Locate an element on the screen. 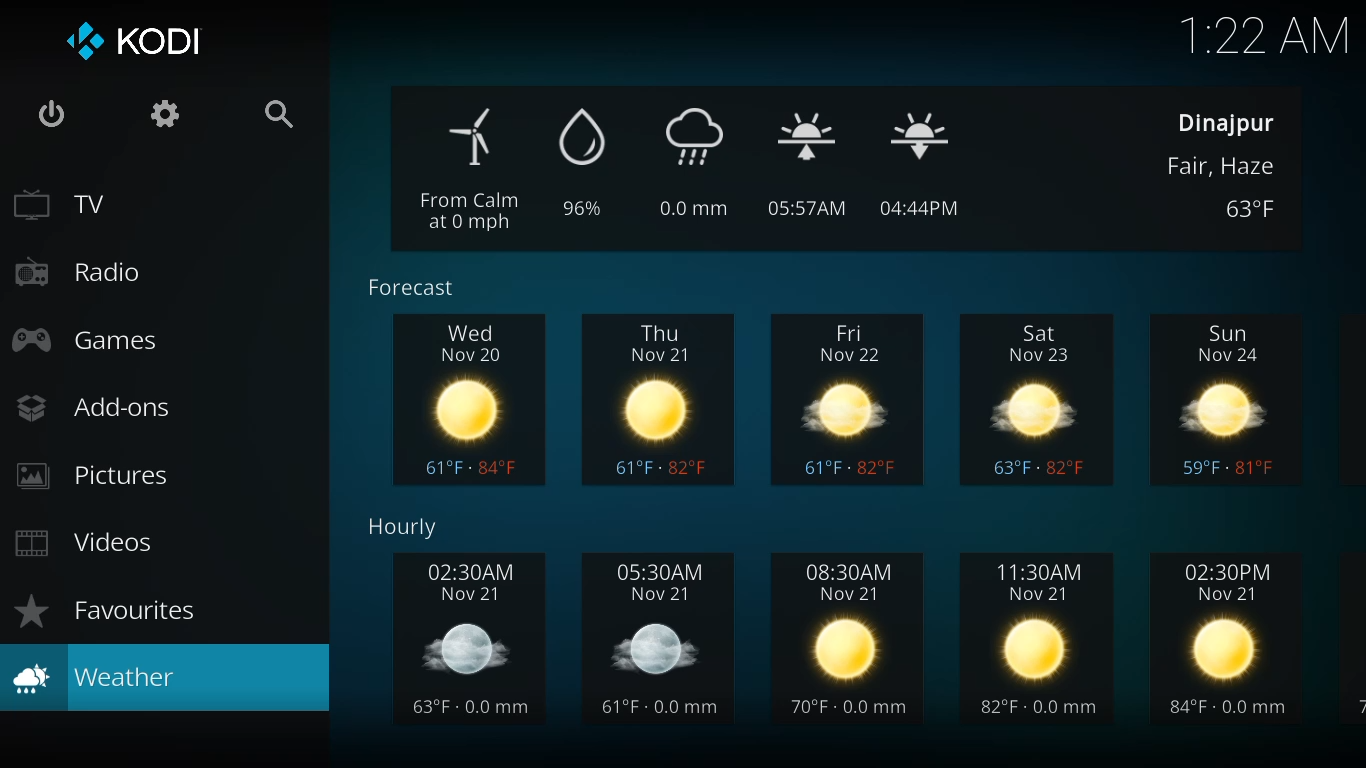 The image size is (1366, 768). time is located at coordinates (1268, 35).